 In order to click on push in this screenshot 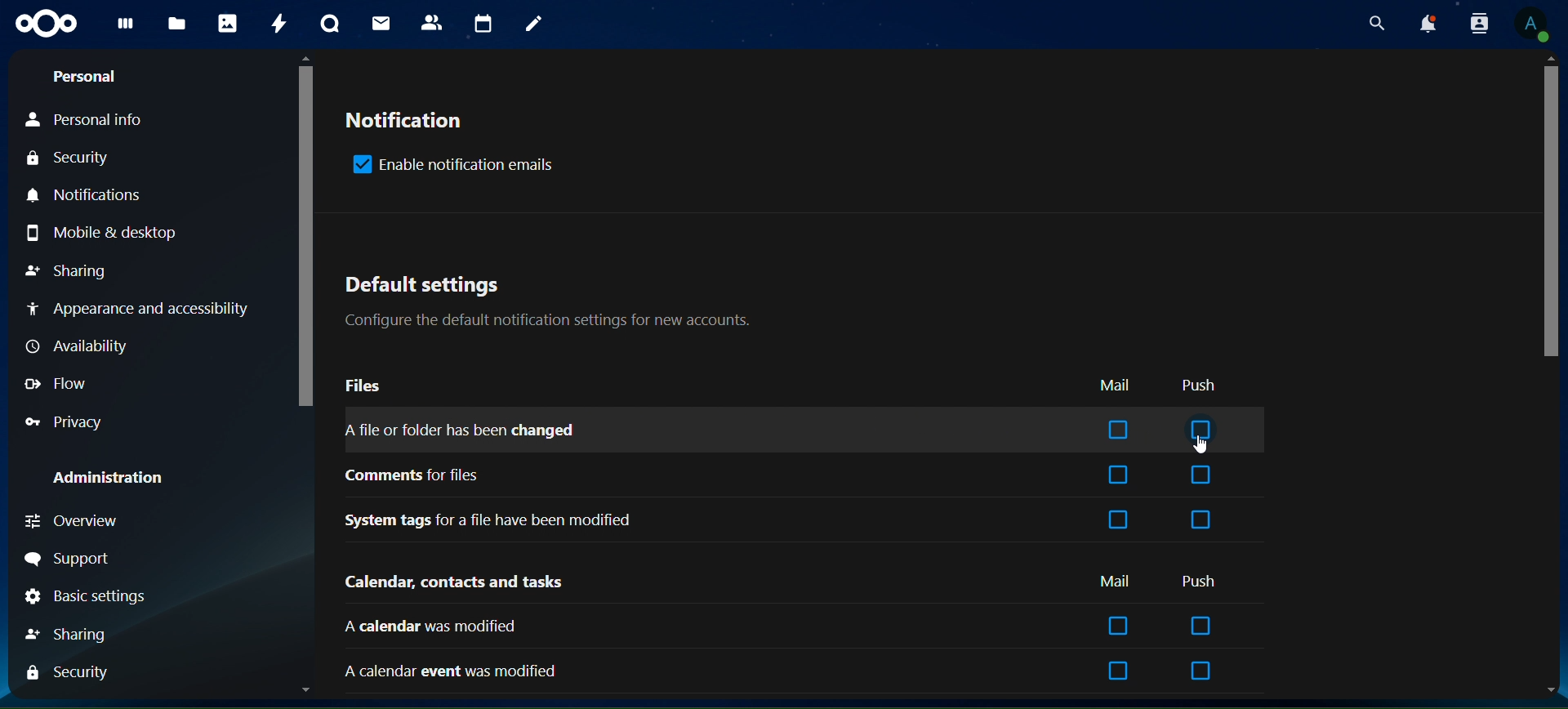, I will do `click(1200, 580)`.